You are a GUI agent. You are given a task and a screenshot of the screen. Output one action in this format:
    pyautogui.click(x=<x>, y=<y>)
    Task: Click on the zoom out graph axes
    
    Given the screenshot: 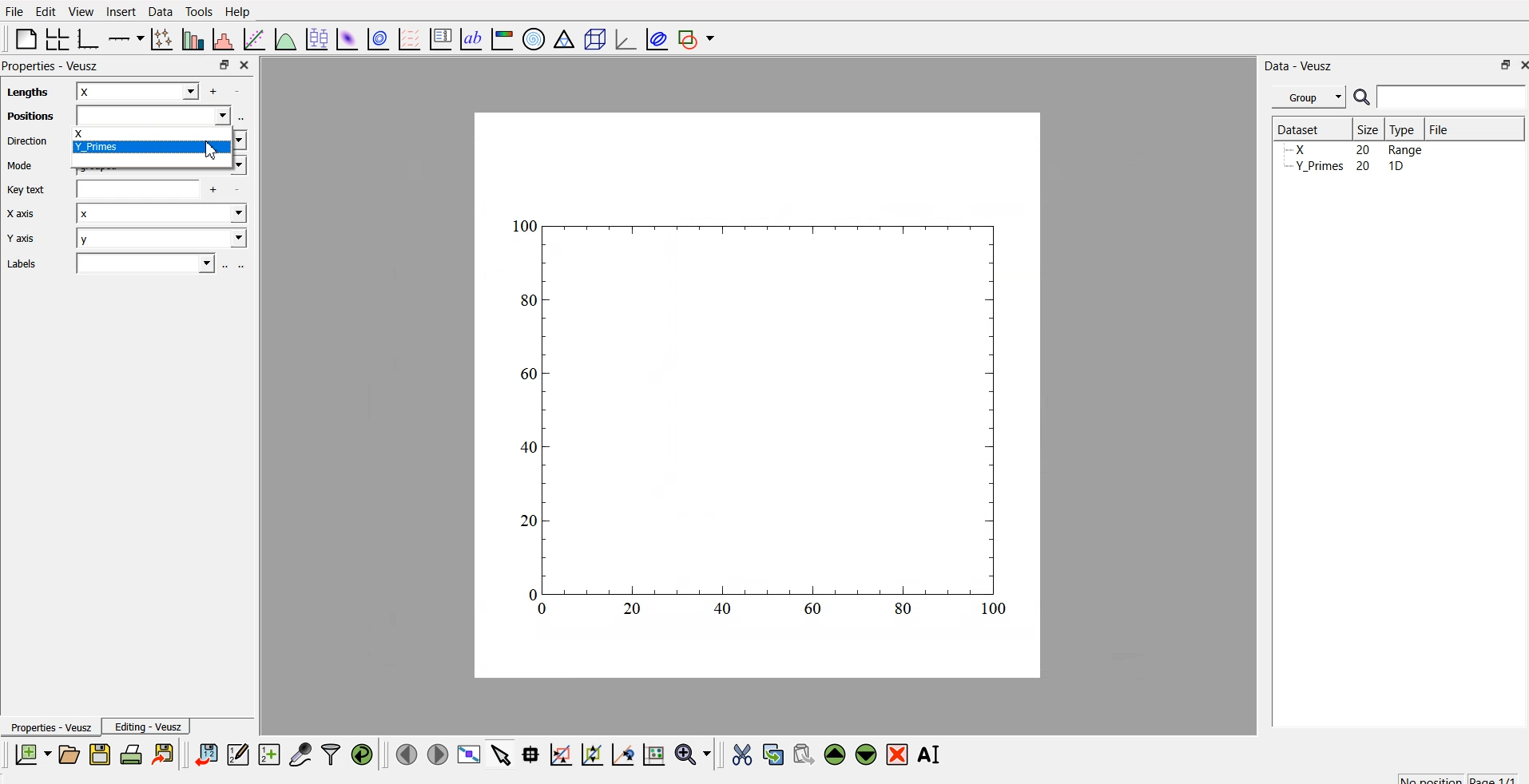 What is the action you would take?
    pyautogui.click(x=621, y=754)
    